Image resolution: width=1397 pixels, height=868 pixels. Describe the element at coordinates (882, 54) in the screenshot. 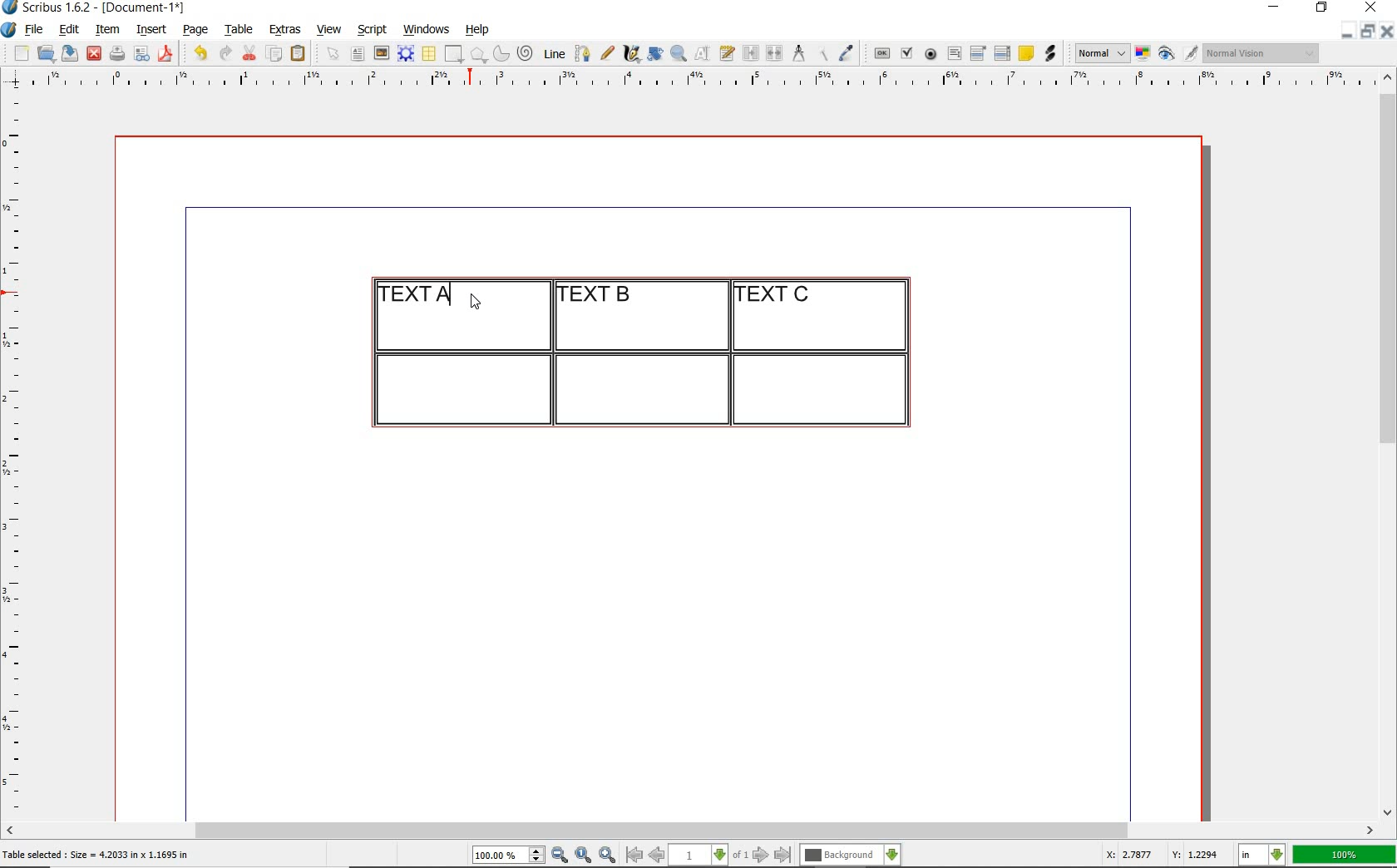

I see `pdf push button` at that location.